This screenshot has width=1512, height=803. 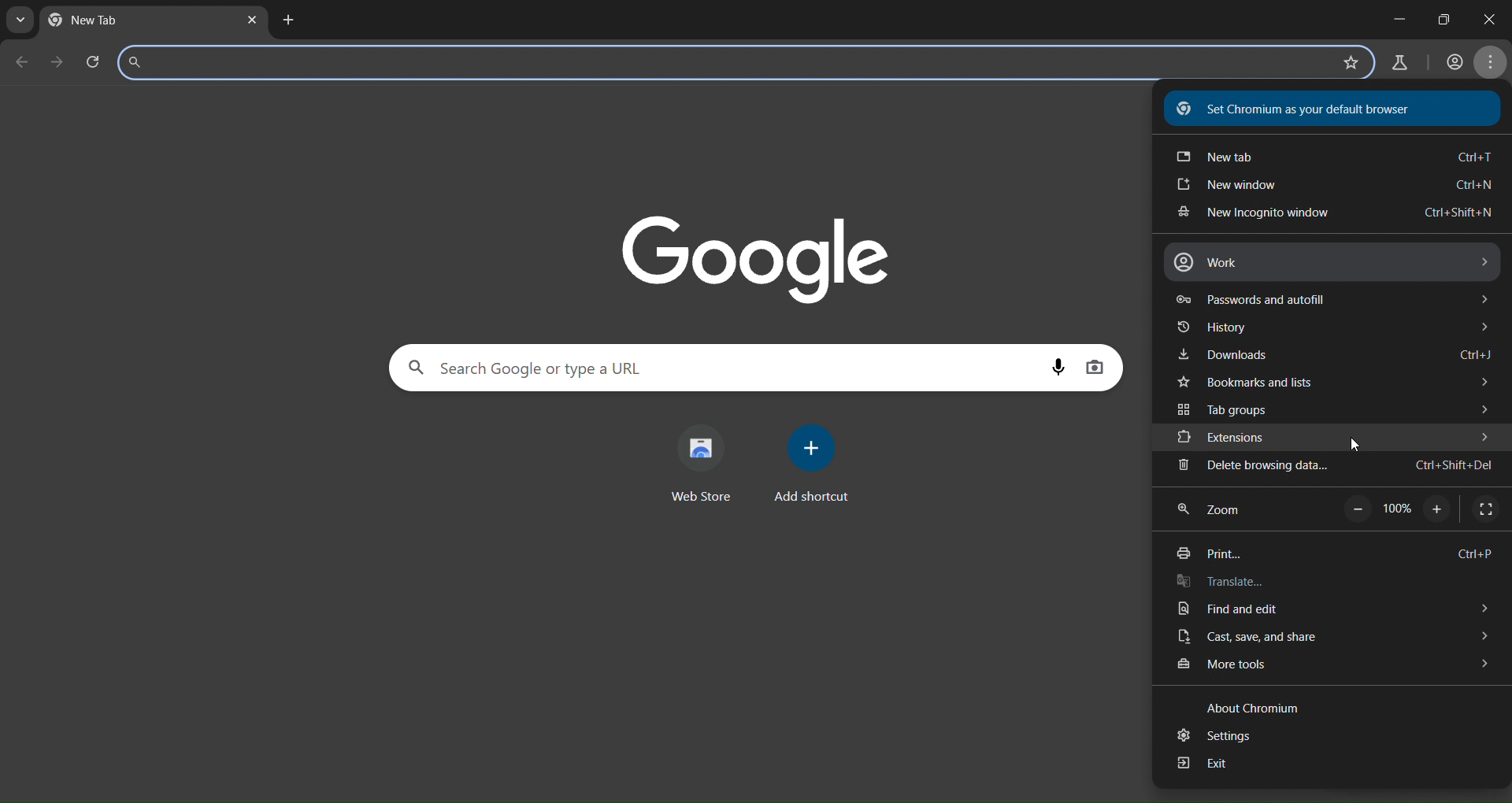 I want to click on search panel, so click(x=544, y=367).